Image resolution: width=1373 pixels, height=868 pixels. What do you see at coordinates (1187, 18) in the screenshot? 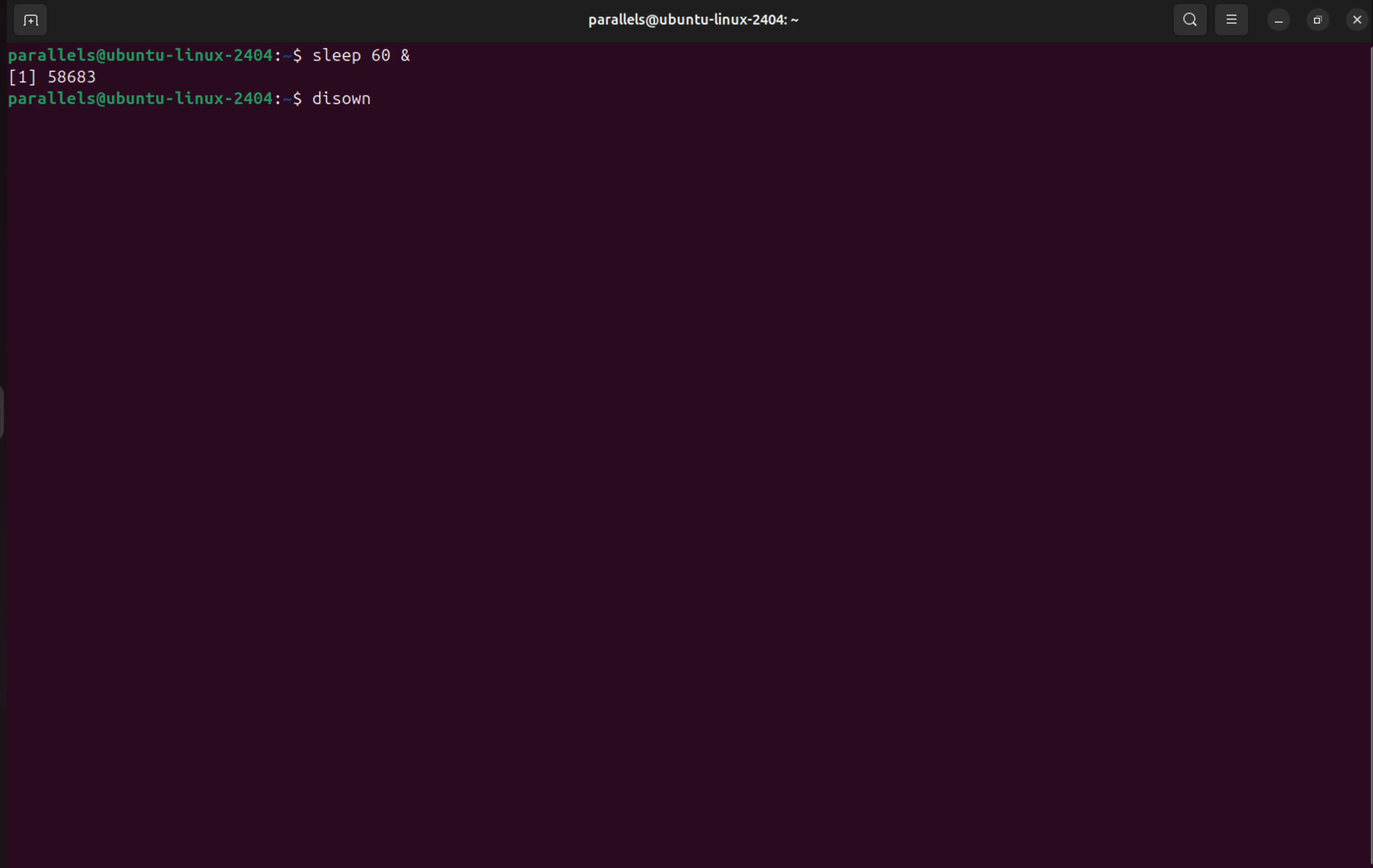
I see `search` at bounding box center [1187, 18].